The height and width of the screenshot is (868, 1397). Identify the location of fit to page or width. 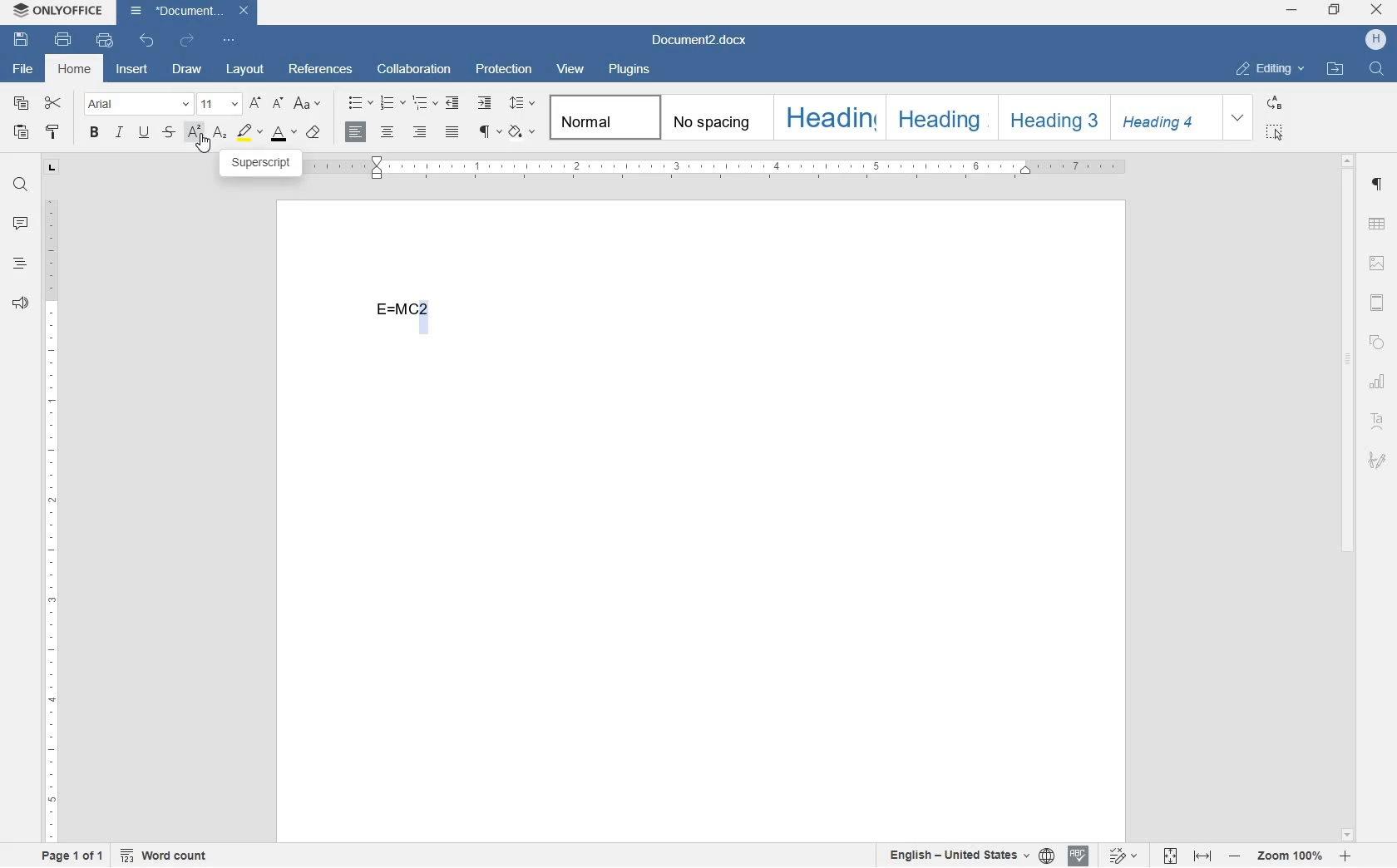
(1186, 856).